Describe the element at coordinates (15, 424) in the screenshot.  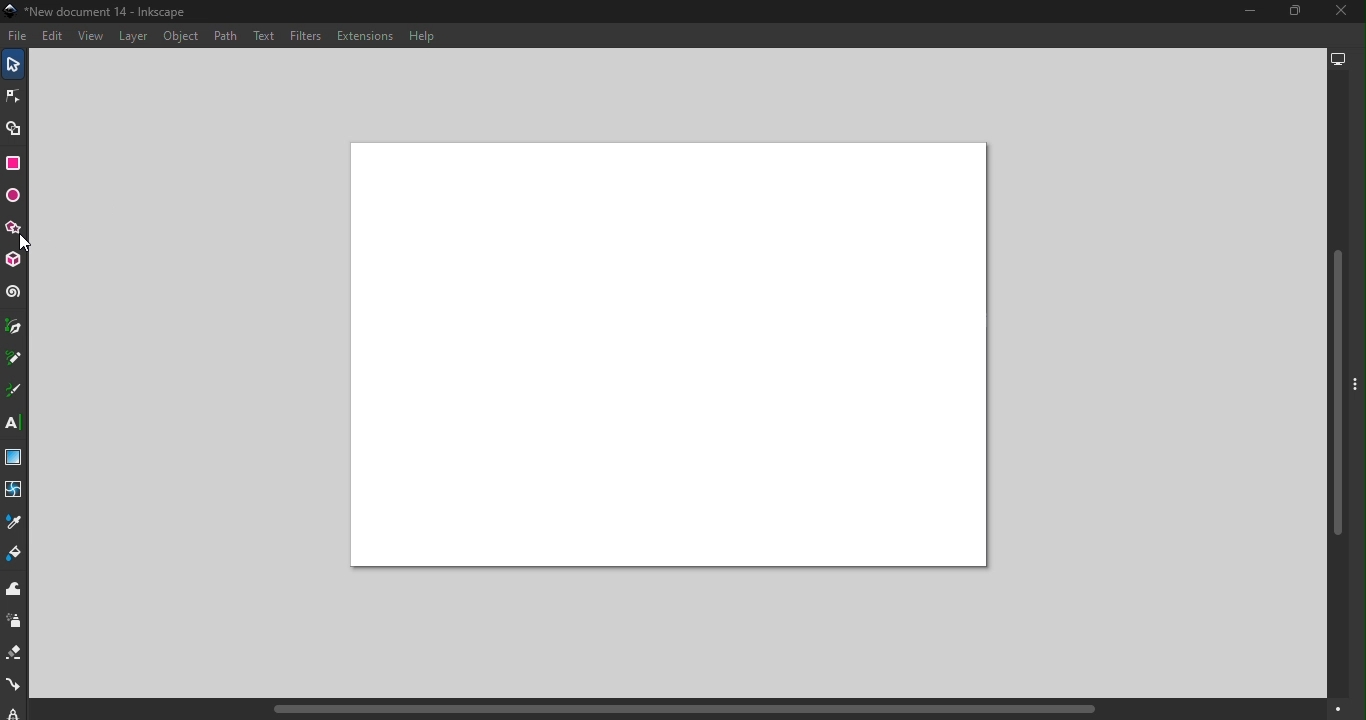
I see `Text tool` at that location.